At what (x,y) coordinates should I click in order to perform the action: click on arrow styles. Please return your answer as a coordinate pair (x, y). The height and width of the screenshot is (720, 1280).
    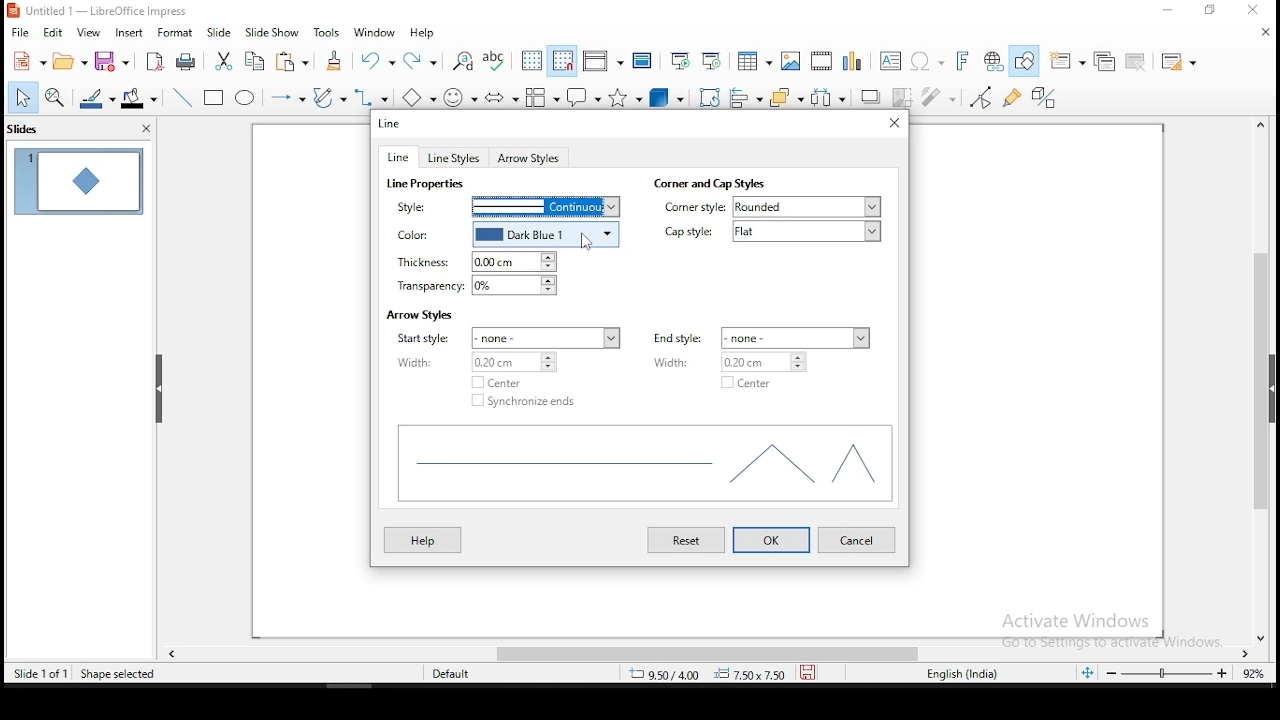
    Looking at the image, I should click on (532, 159).